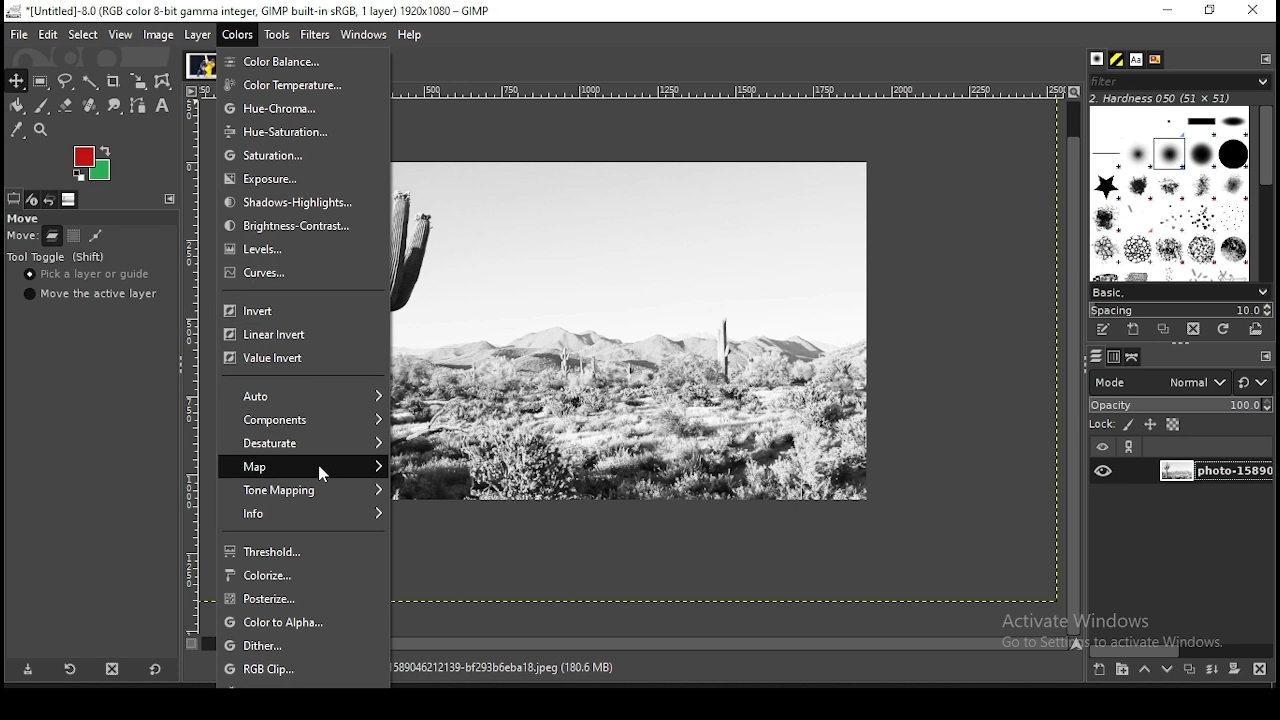  What do you see at coordinates (92, 165) in the screenshot?
I see `image` at bounding box center [92, 165].